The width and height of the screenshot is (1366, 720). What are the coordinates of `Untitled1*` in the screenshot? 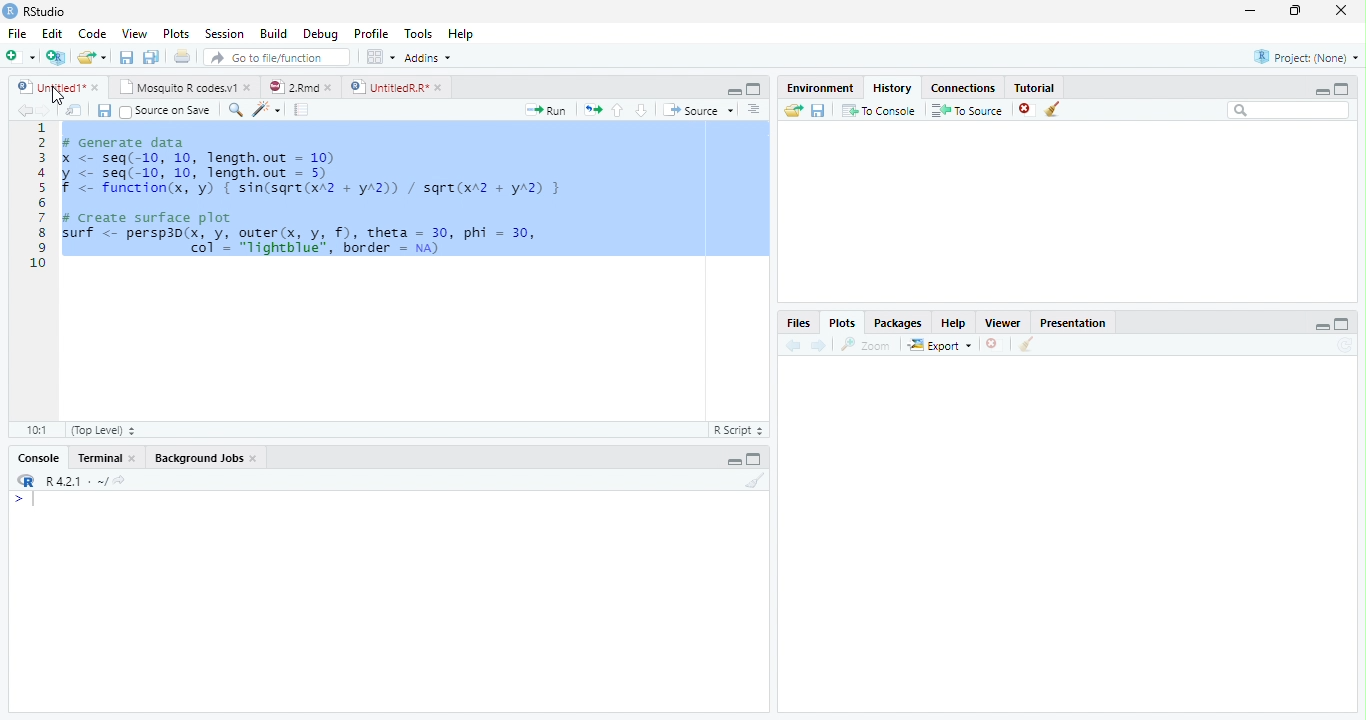 It's located at (48, 86).